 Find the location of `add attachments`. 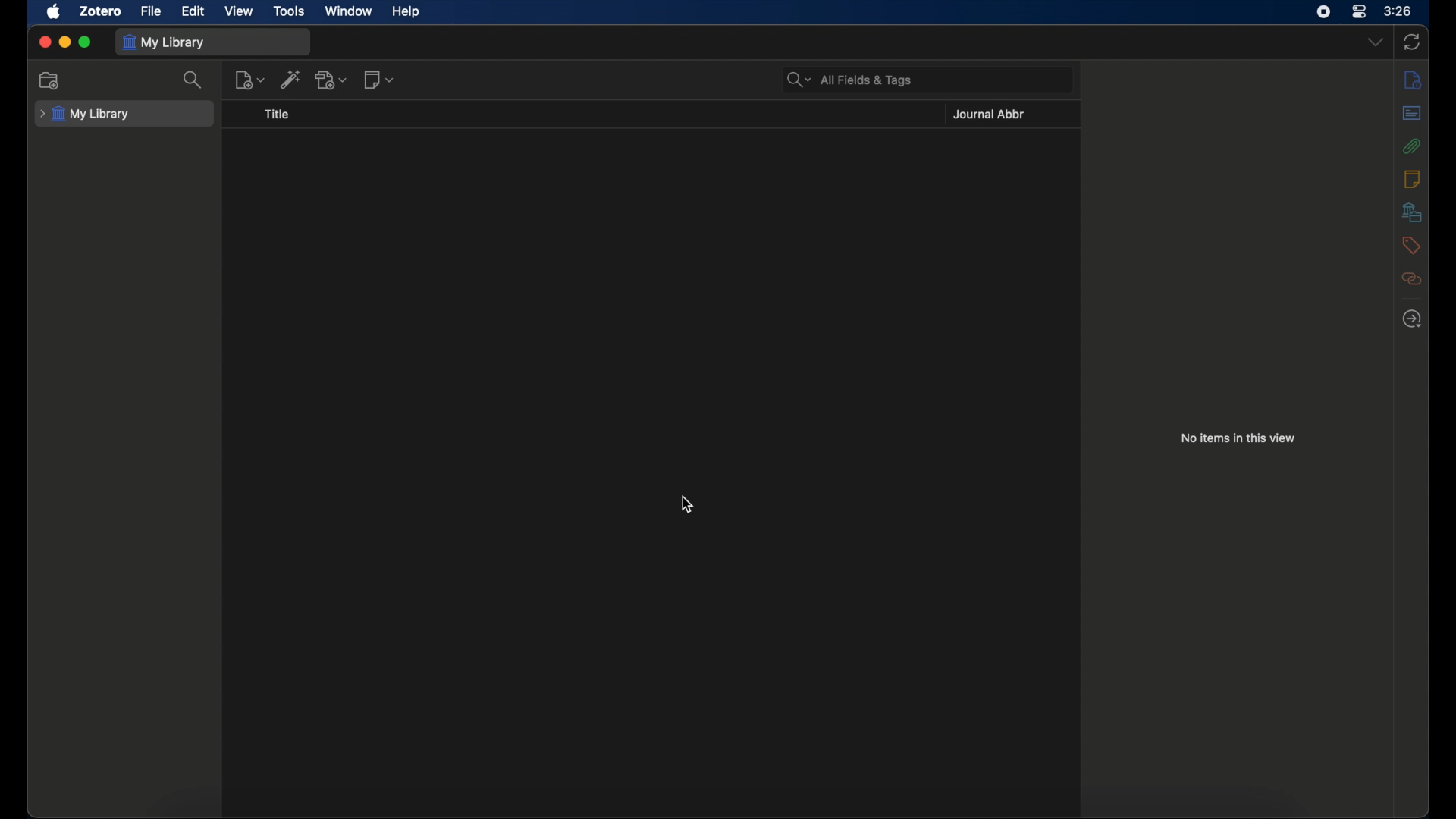

add attachments is located at coordinates (332, 79).